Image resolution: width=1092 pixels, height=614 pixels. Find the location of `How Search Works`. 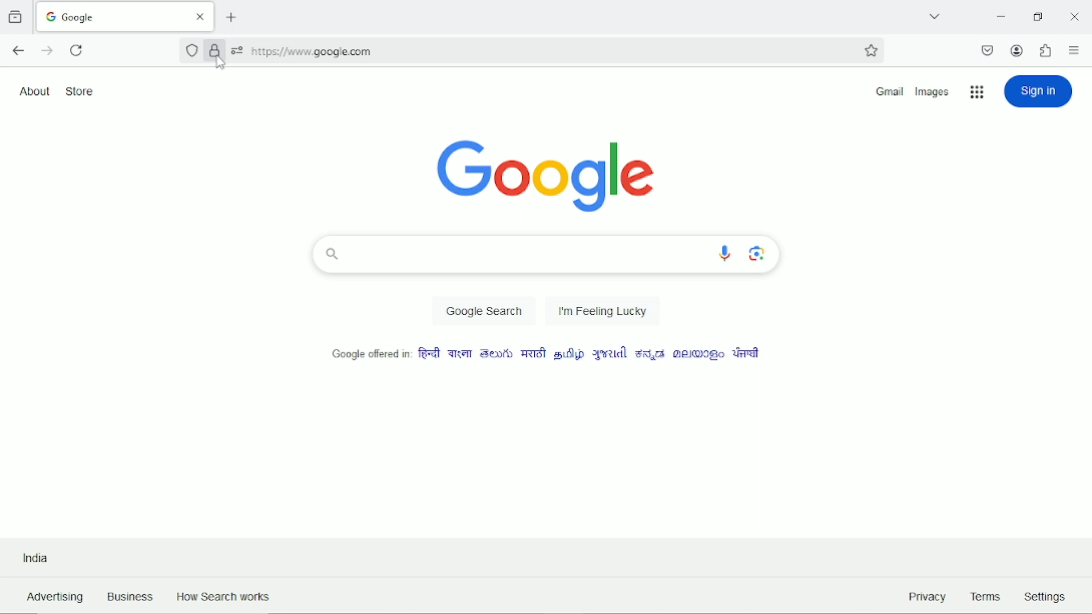

How Search Works is located at coordinates (231, 596).